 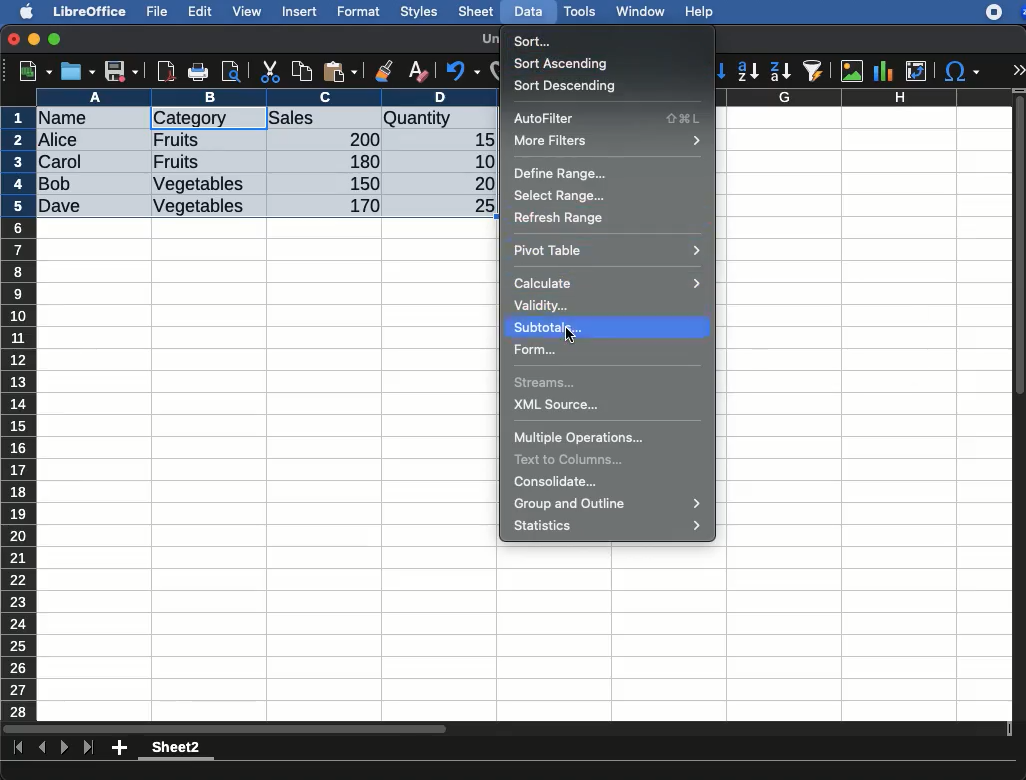 What do you see at coordinates (21, 10) in the screenshot?
I see `apple` at bounding box center [21, 10].